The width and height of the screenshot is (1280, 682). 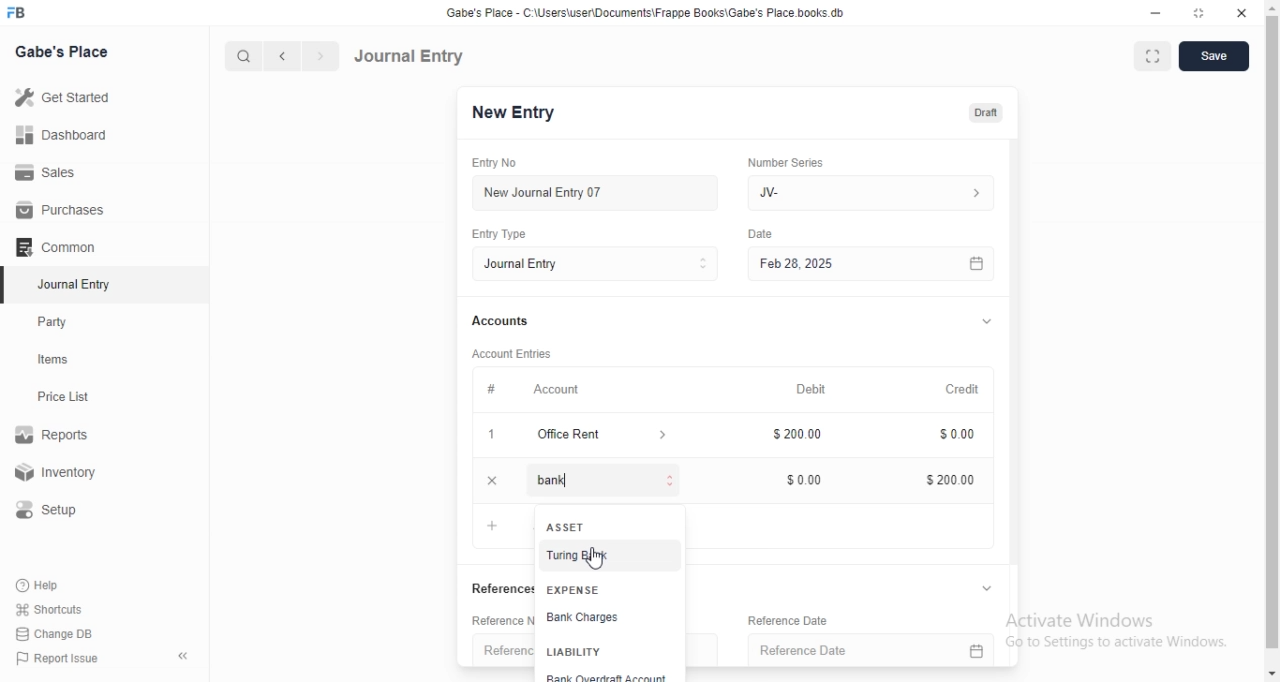 What do you see at coordinates (61, 360) in the screenshot?
I see `tems` at bounding box center [61, 360].